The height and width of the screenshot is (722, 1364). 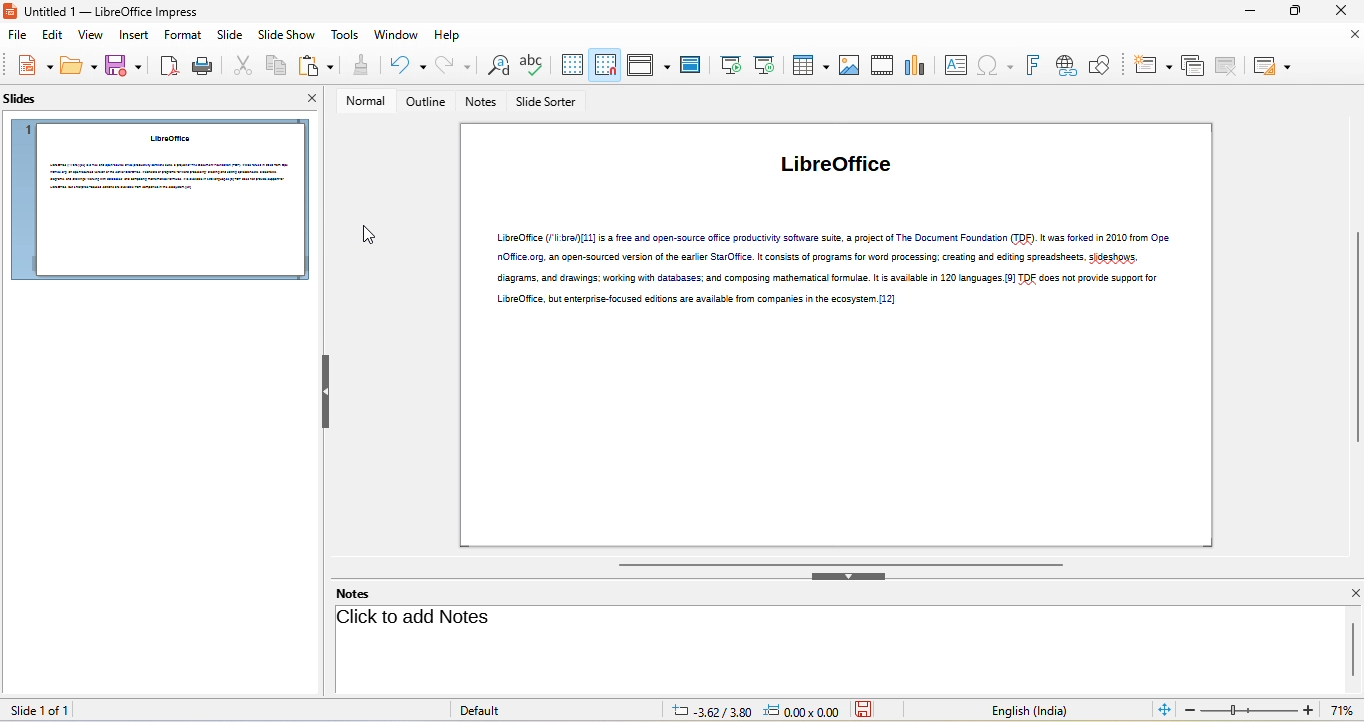 What do you see at coordinates (363, 593) in the screenshot?
I see `notes` at bounding box center [363, 593].